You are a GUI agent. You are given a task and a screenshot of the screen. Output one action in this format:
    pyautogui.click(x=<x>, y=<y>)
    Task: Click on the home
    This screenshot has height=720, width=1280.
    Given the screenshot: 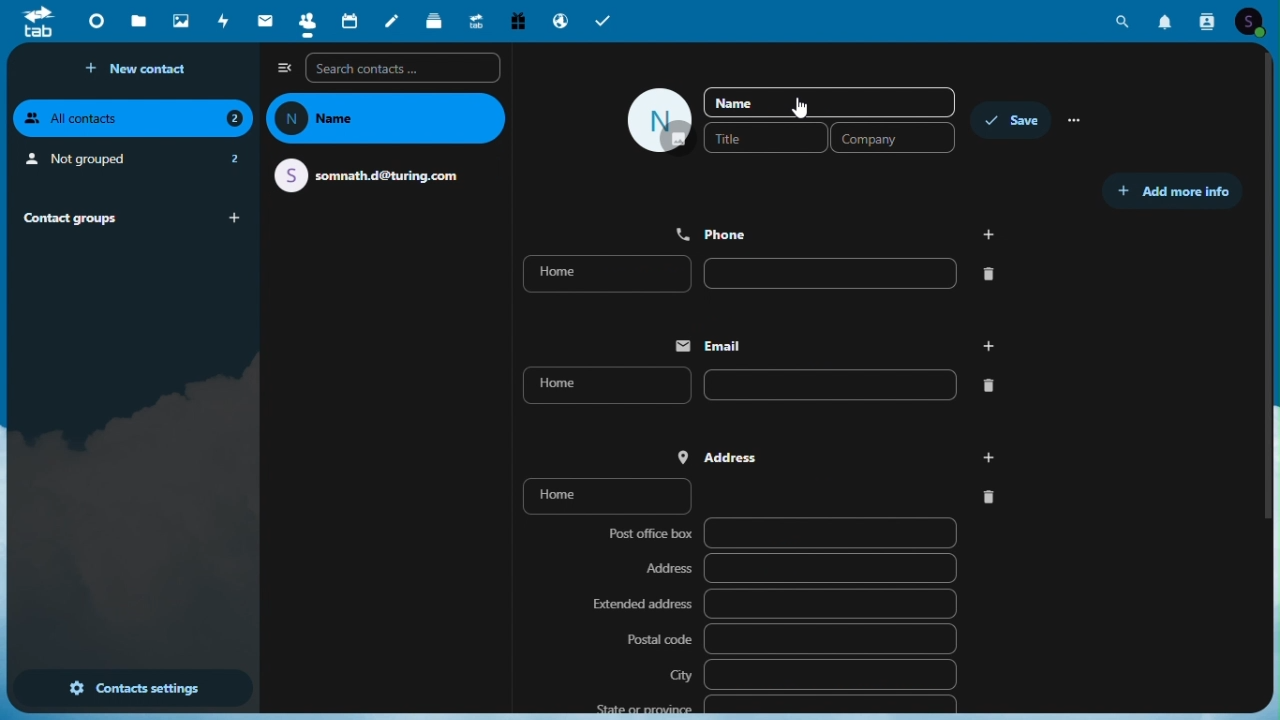 What is the action you would take?
    pyautogui.click(x=755, y=384)
    